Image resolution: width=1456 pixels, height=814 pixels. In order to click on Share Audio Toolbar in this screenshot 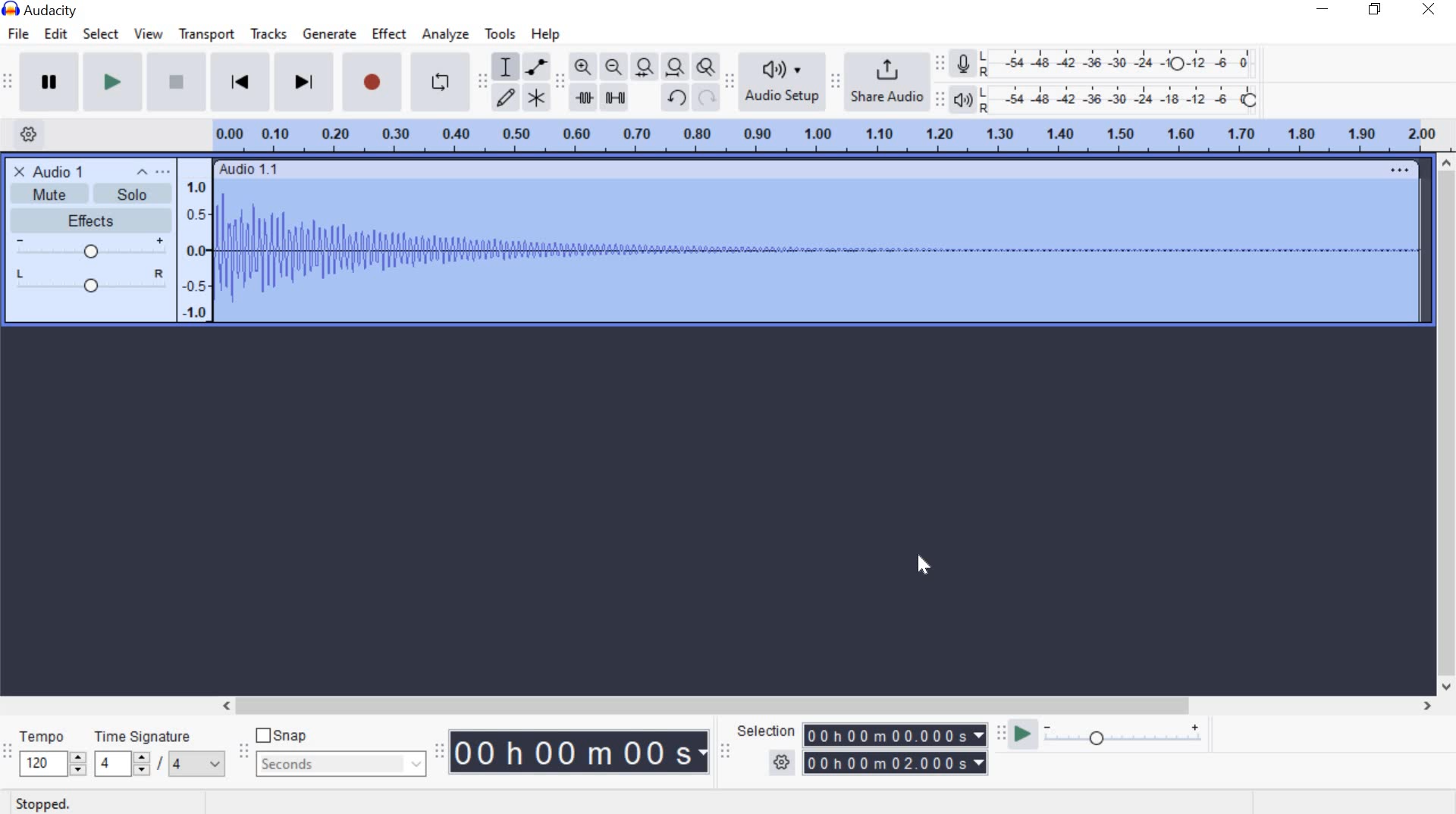, I will do `click(833, 81)`.